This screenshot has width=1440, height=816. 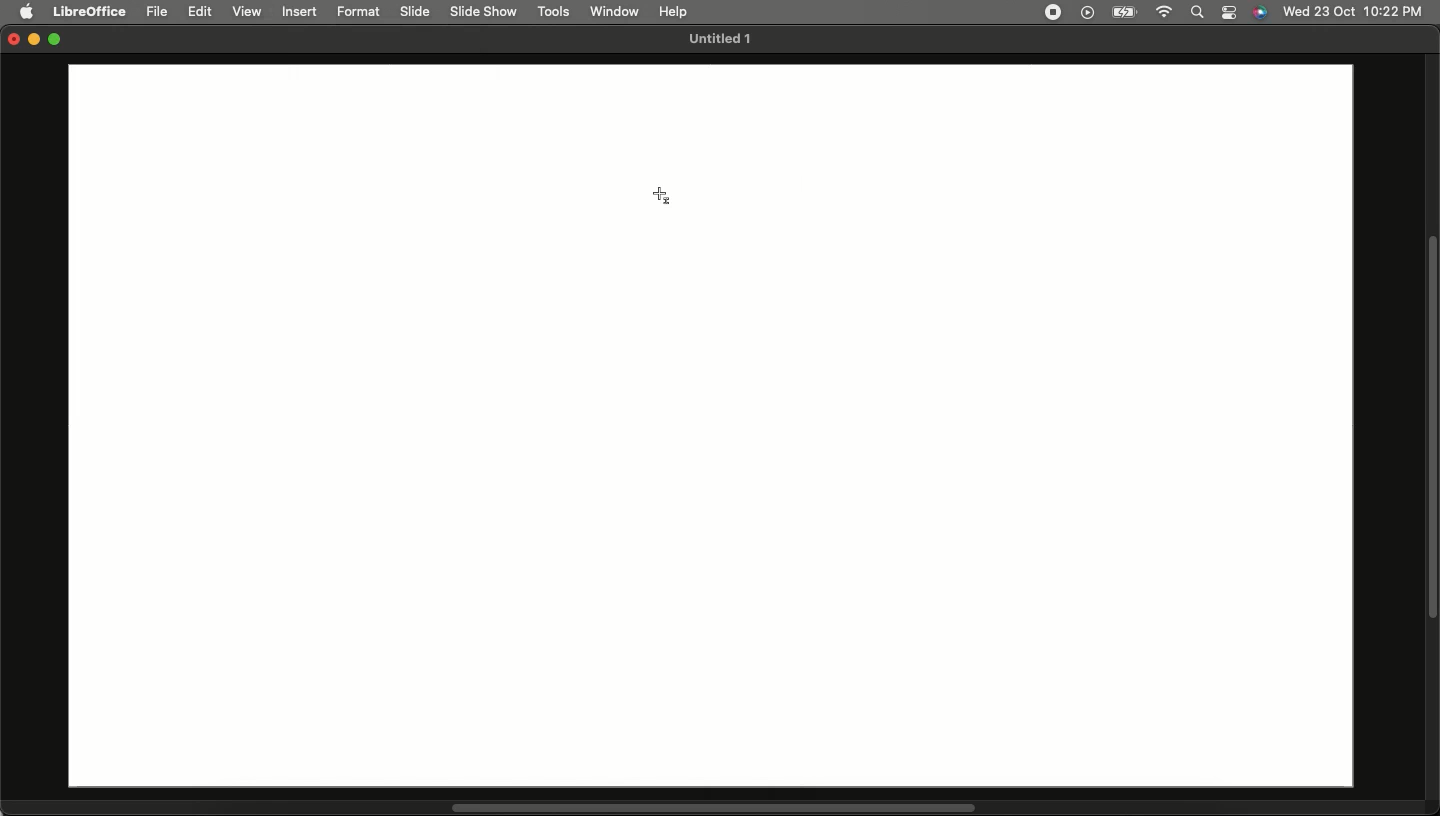 What do you see at coordinates (363, 13) in the screenshot?
I see `Format` at bounding box center [363, 13].